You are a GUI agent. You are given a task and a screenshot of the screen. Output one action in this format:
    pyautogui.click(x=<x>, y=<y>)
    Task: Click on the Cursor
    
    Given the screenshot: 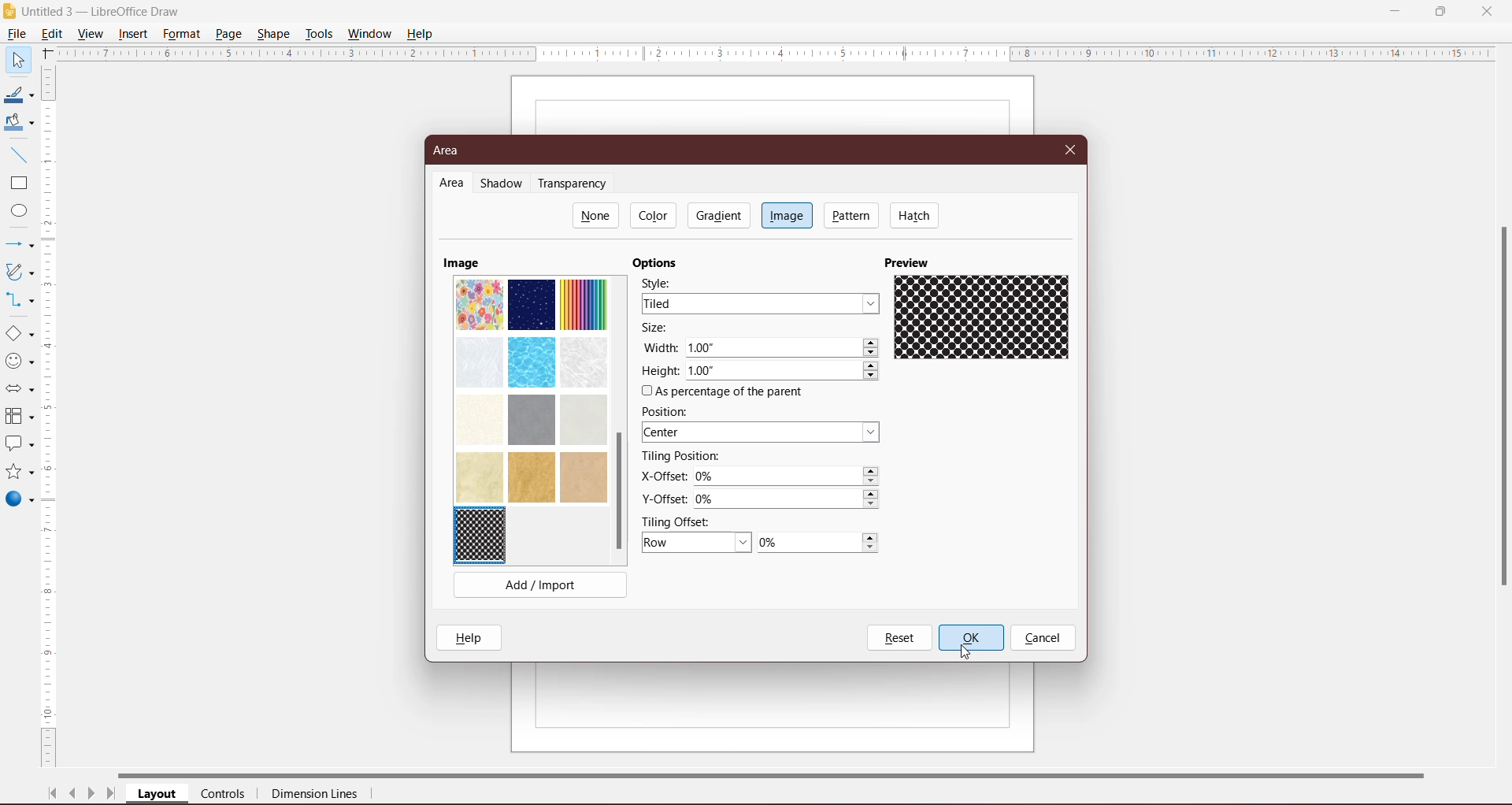 What is the action you would take?
    pyautogui.click(x=968, y=652)
    